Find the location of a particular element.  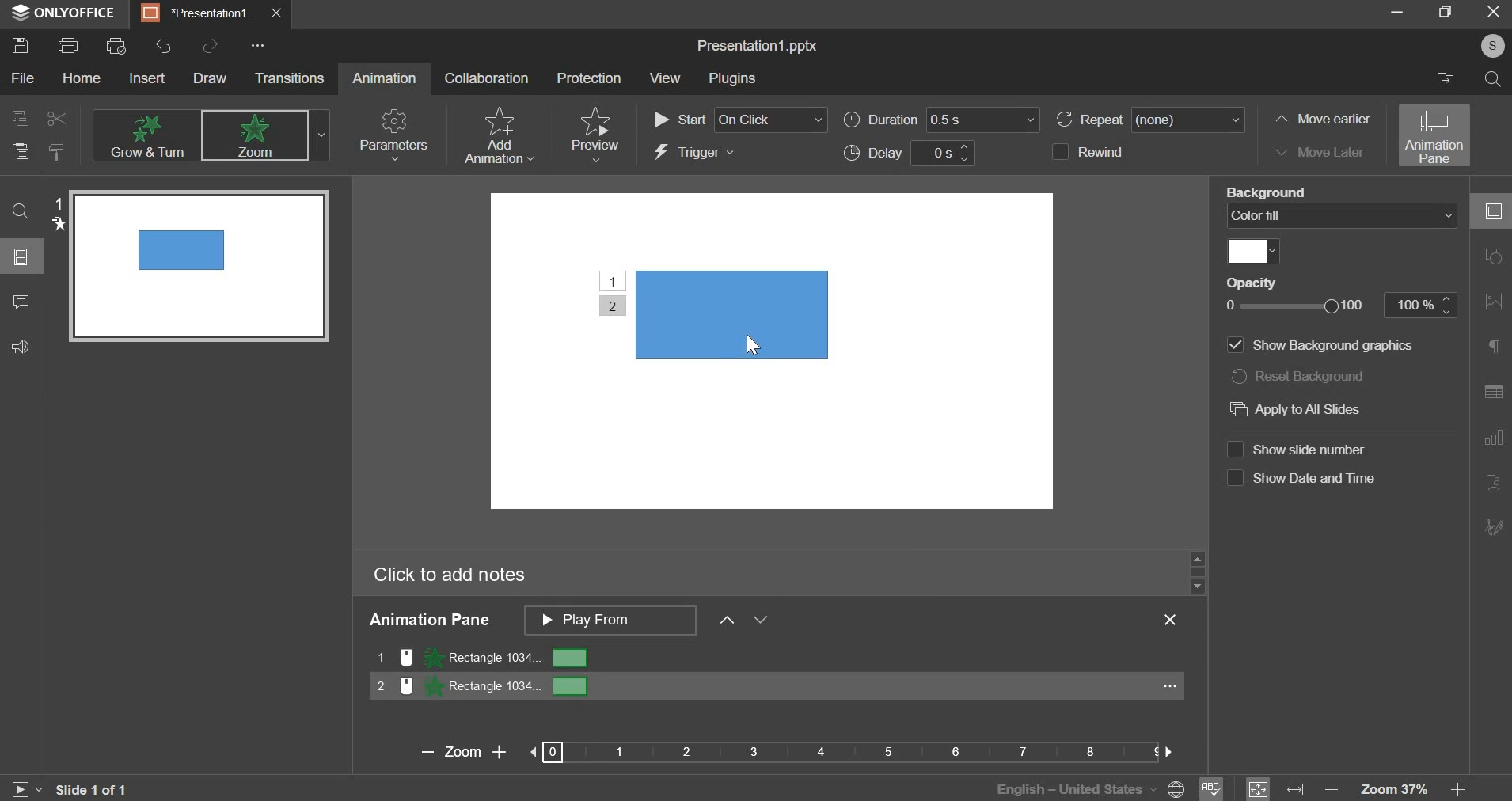

color fill is located at coordinates (1248, 250).